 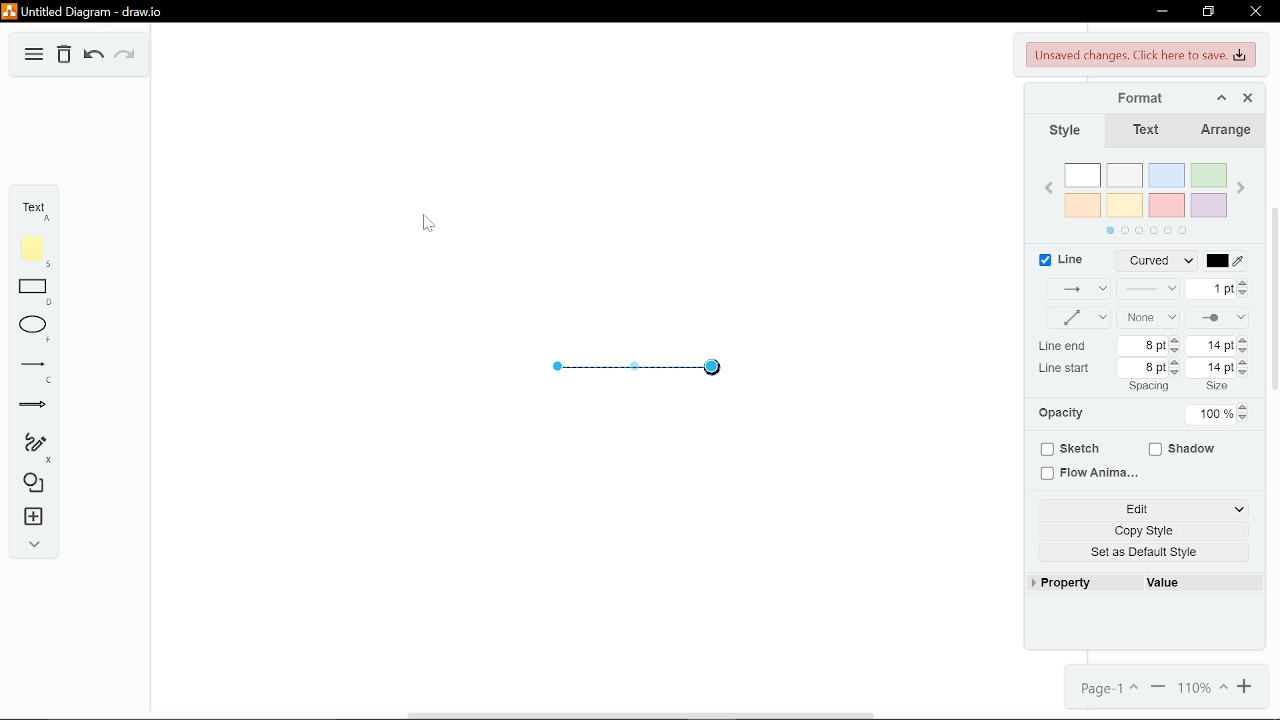 What do you see at coordinates (1256, 13) in the screenshot?
I see `Close` at bounding box center [1256, 13].